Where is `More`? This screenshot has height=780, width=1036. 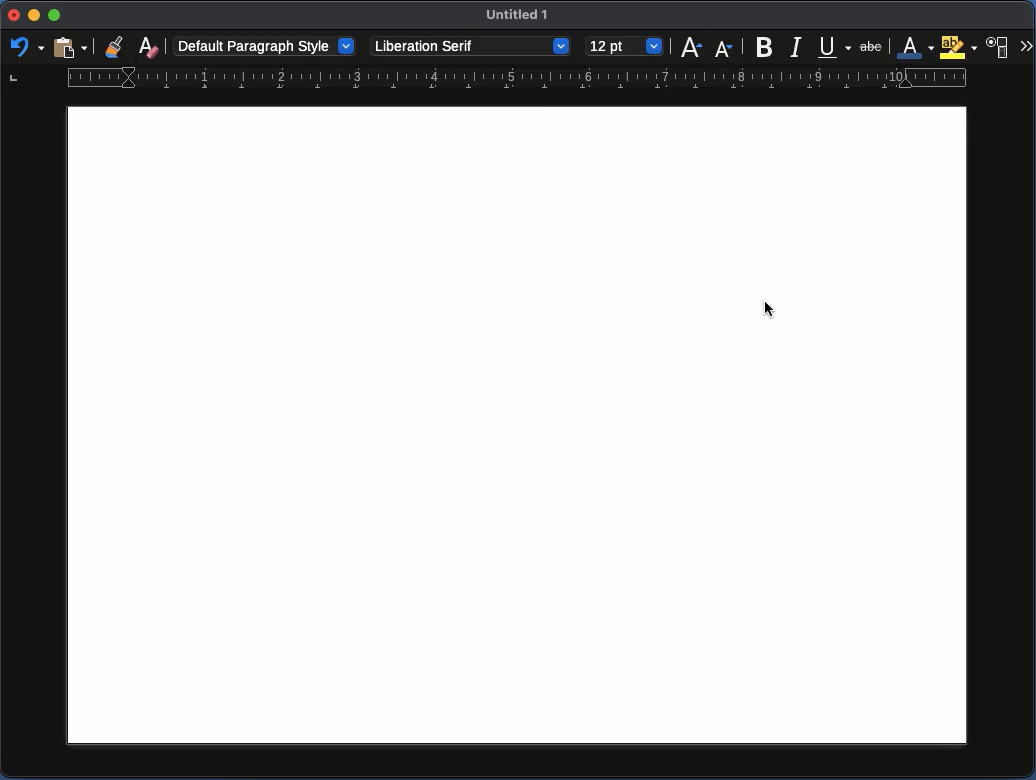 More is located at coordinates (1026, 47).